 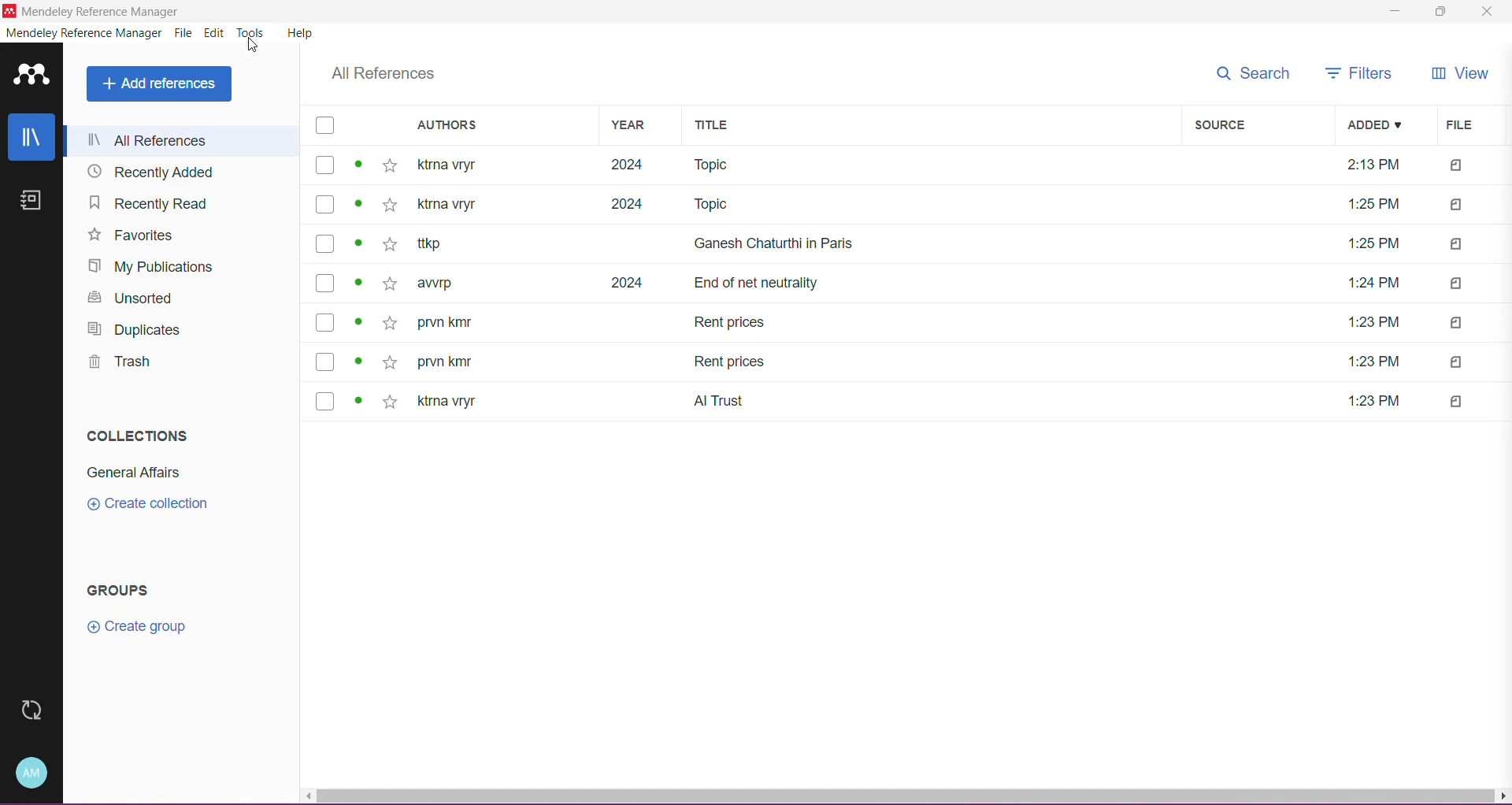 What do you see at coordinates (357, 360) in the screenshot?
I see `read` at bounding box center [357, 360].